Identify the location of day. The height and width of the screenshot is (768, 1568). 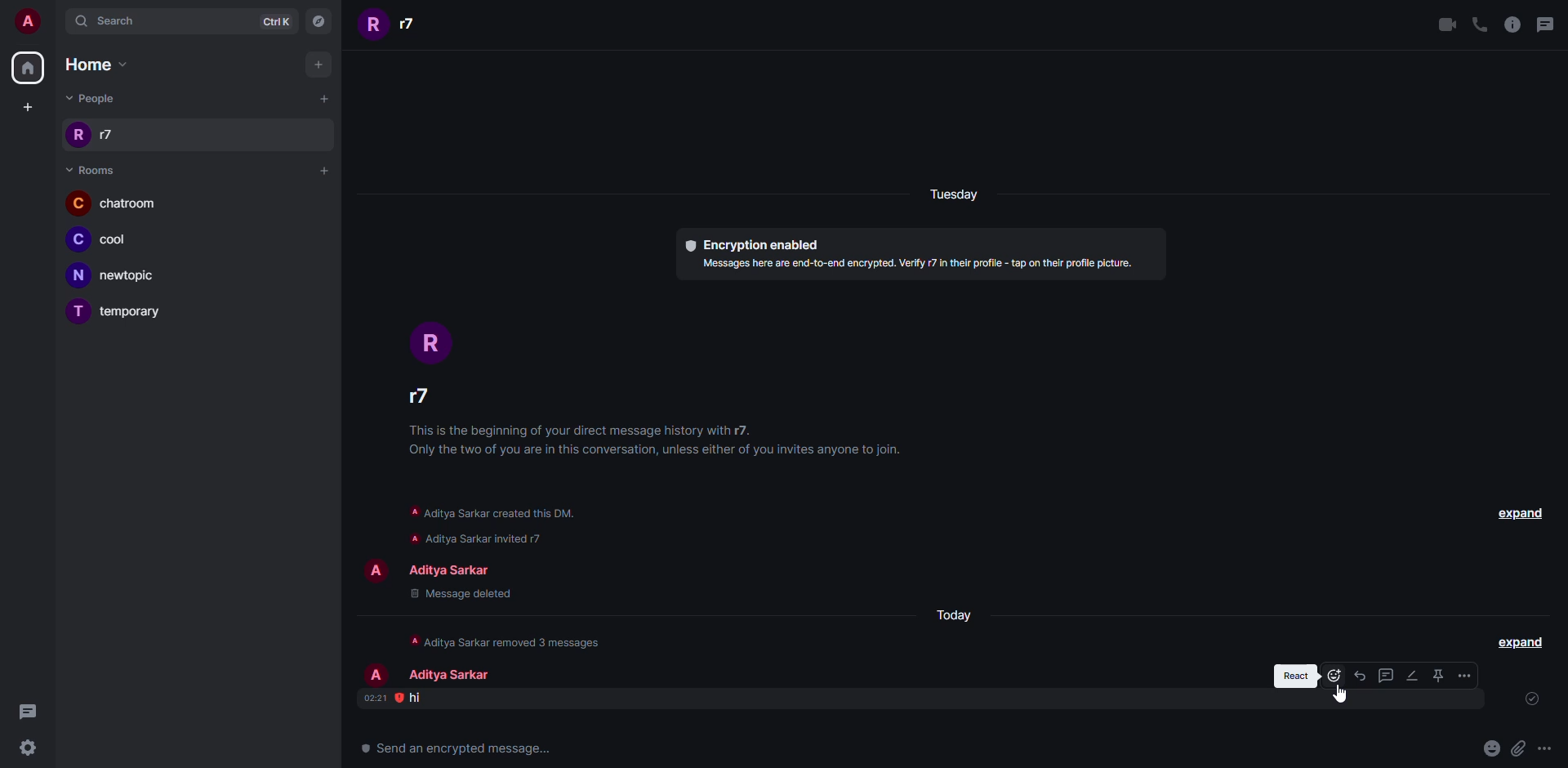
(952, 194).